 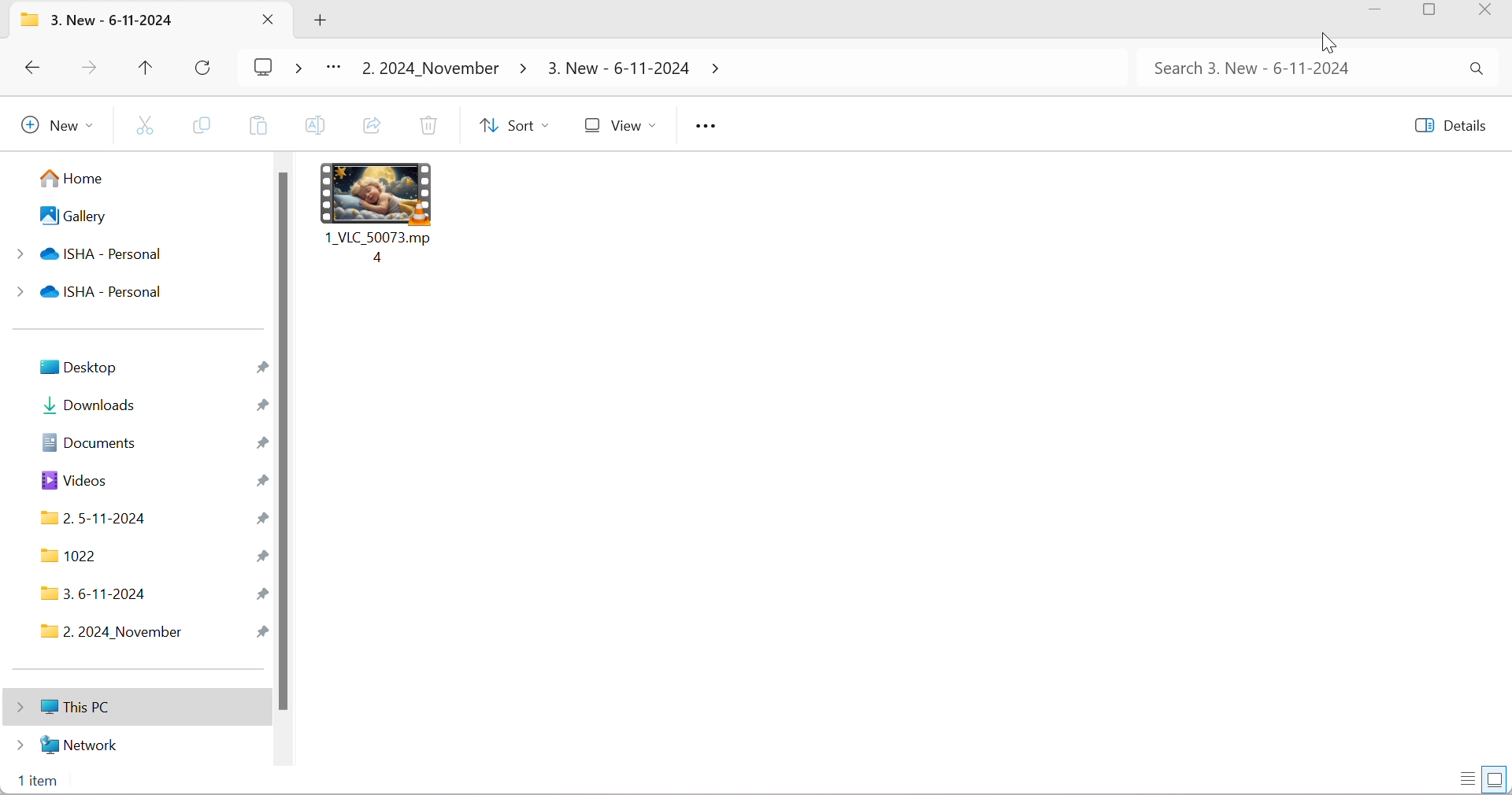 I want to click on Rename, so click(x=316, y=126).